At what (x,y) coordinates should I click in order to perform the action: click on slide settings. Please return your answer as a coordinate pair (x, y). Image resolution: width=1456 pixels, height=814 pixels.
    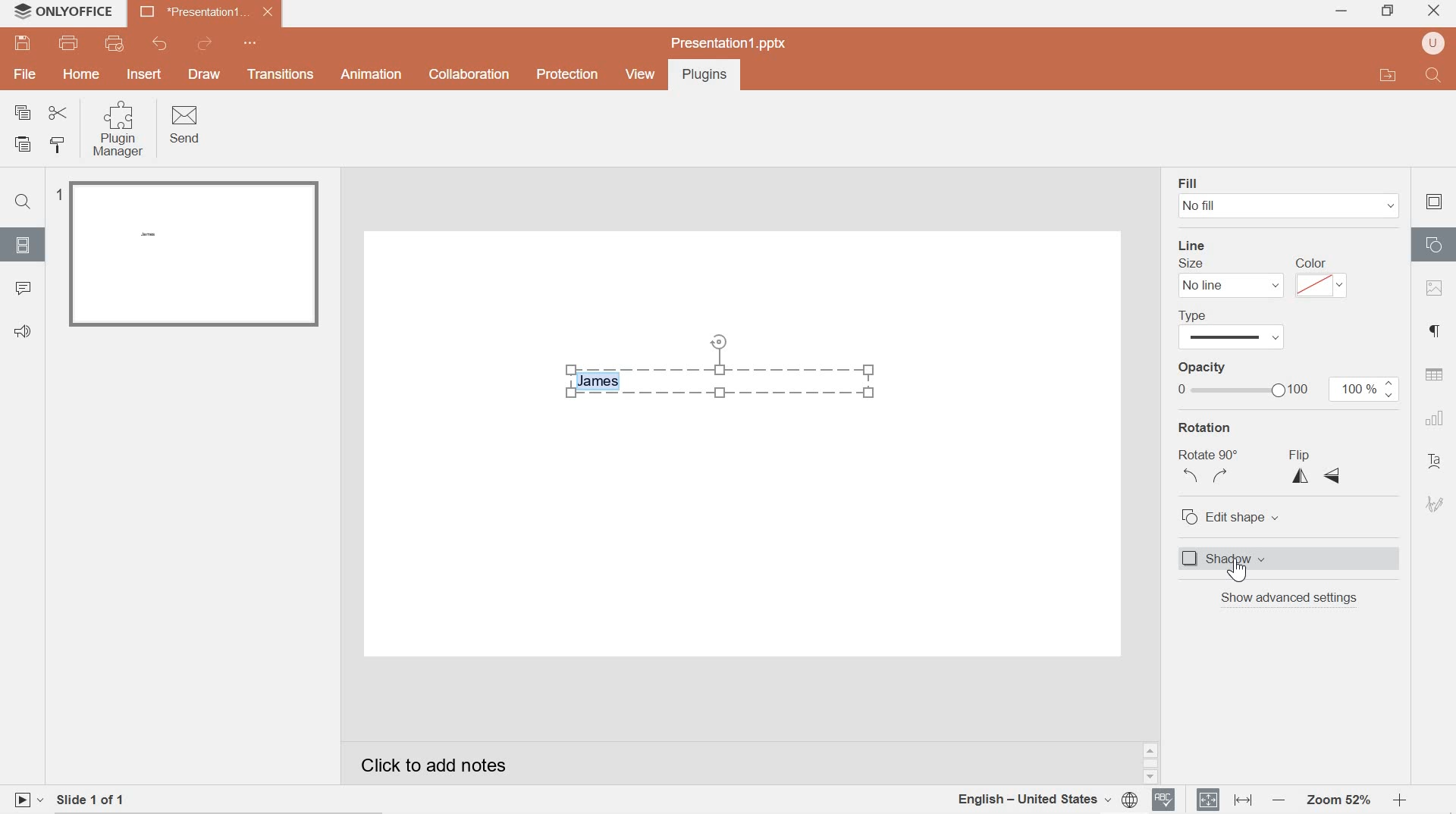
    Looking at the image, I should click on (1434, 202).